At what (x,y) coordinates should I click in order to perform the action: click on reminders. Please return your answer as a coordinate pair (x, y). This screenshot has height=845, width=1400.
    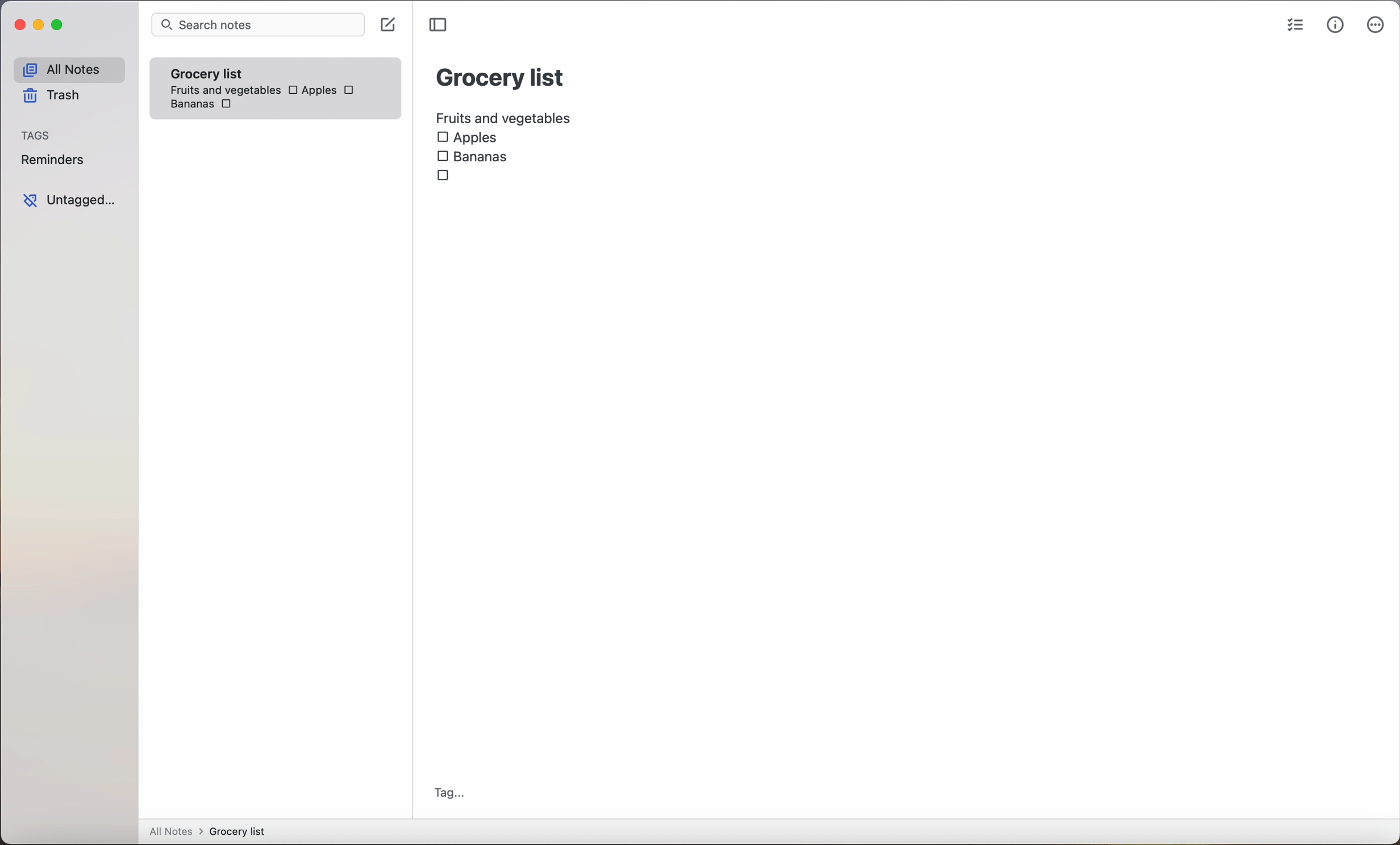
    Looking at the image, I should click on (52, 162).